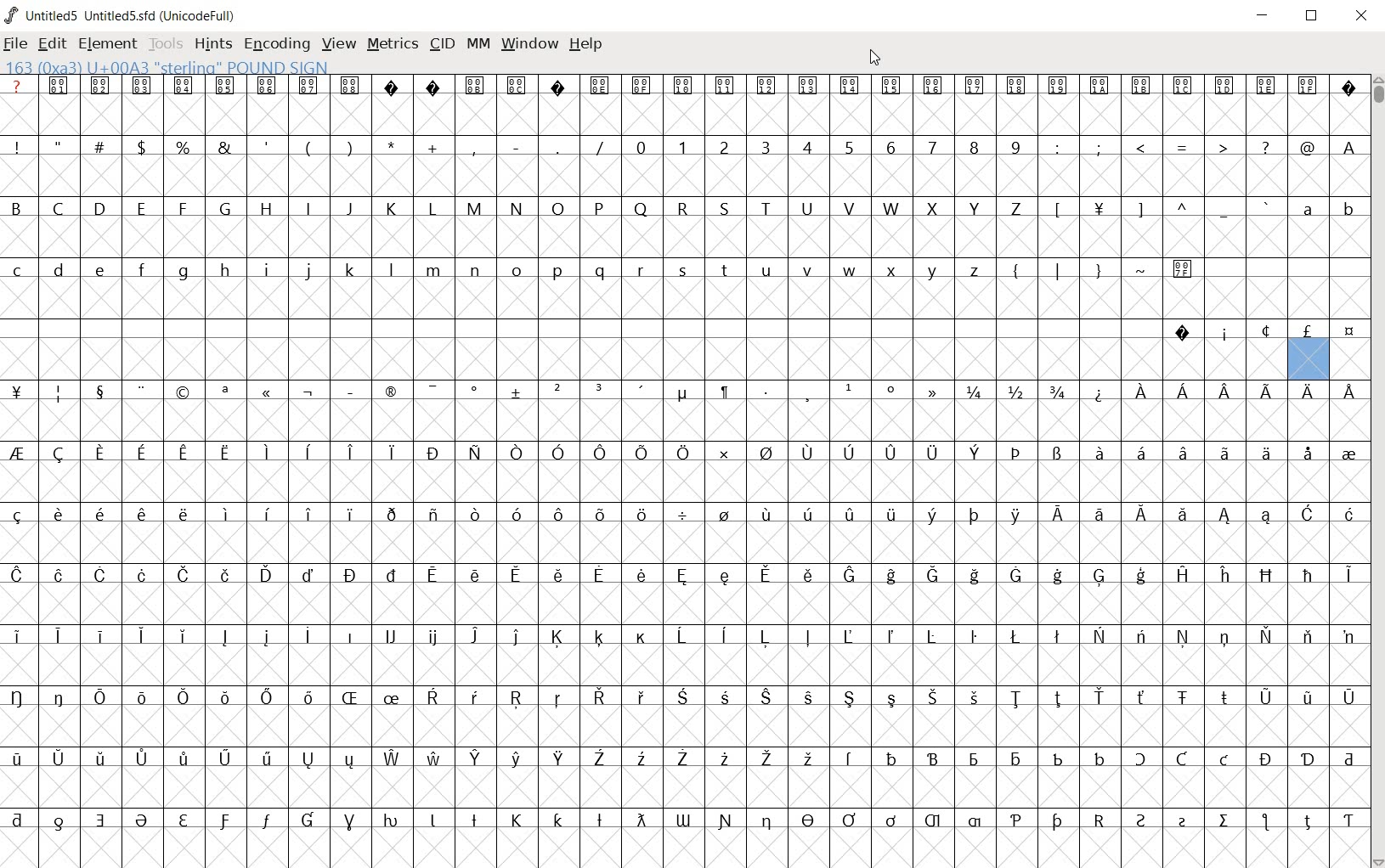 The height and width of the screenshot is (868, 1385). What do you see at coordinates (225, 514) in the screenshot?
I see `Symbol` at bounding box center [225, 514].